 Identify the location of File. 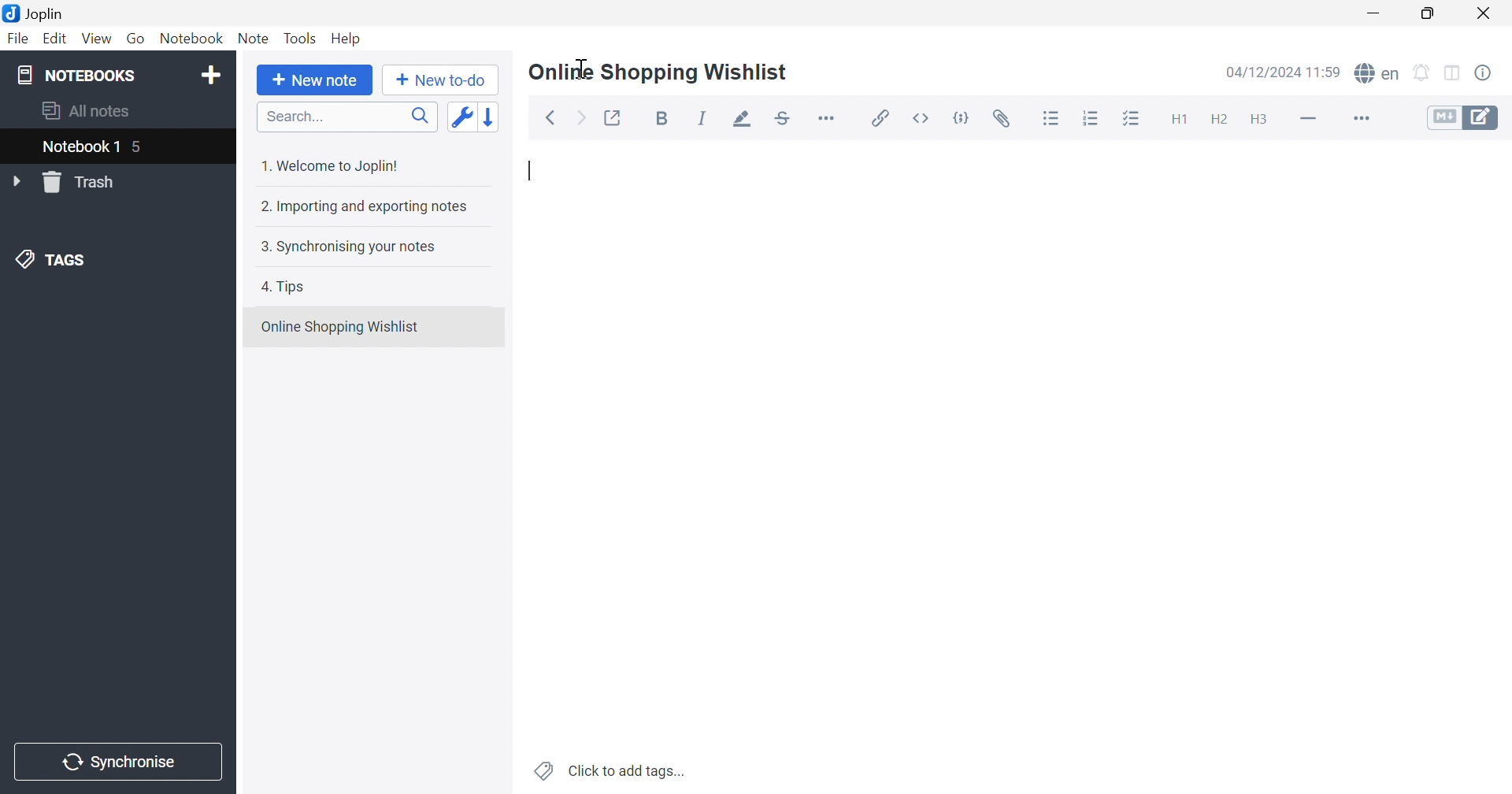
(20, 39).